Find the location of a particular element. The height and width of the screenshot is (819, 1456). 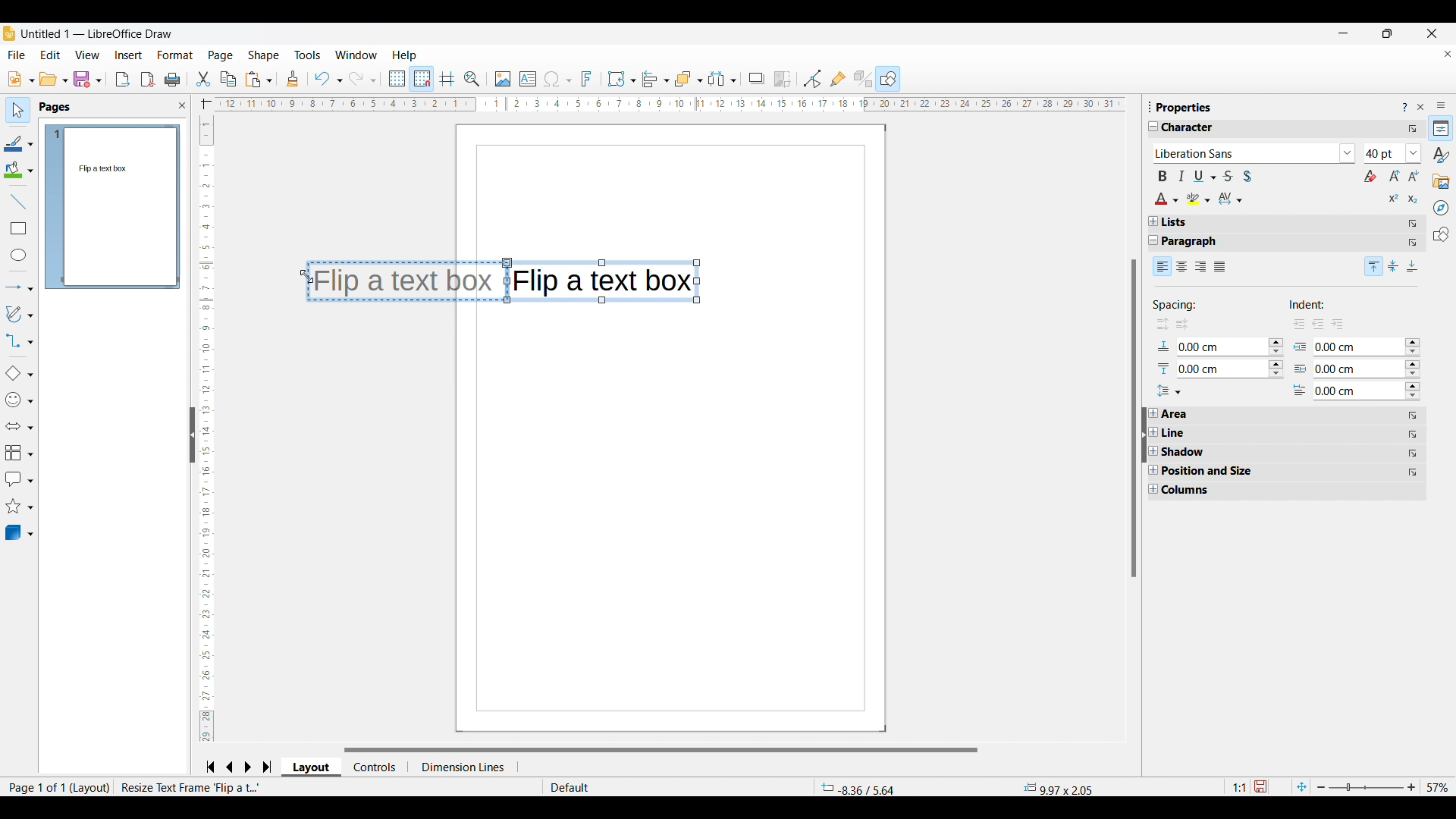

Character spacing options is located at coordinates (1231, 199).